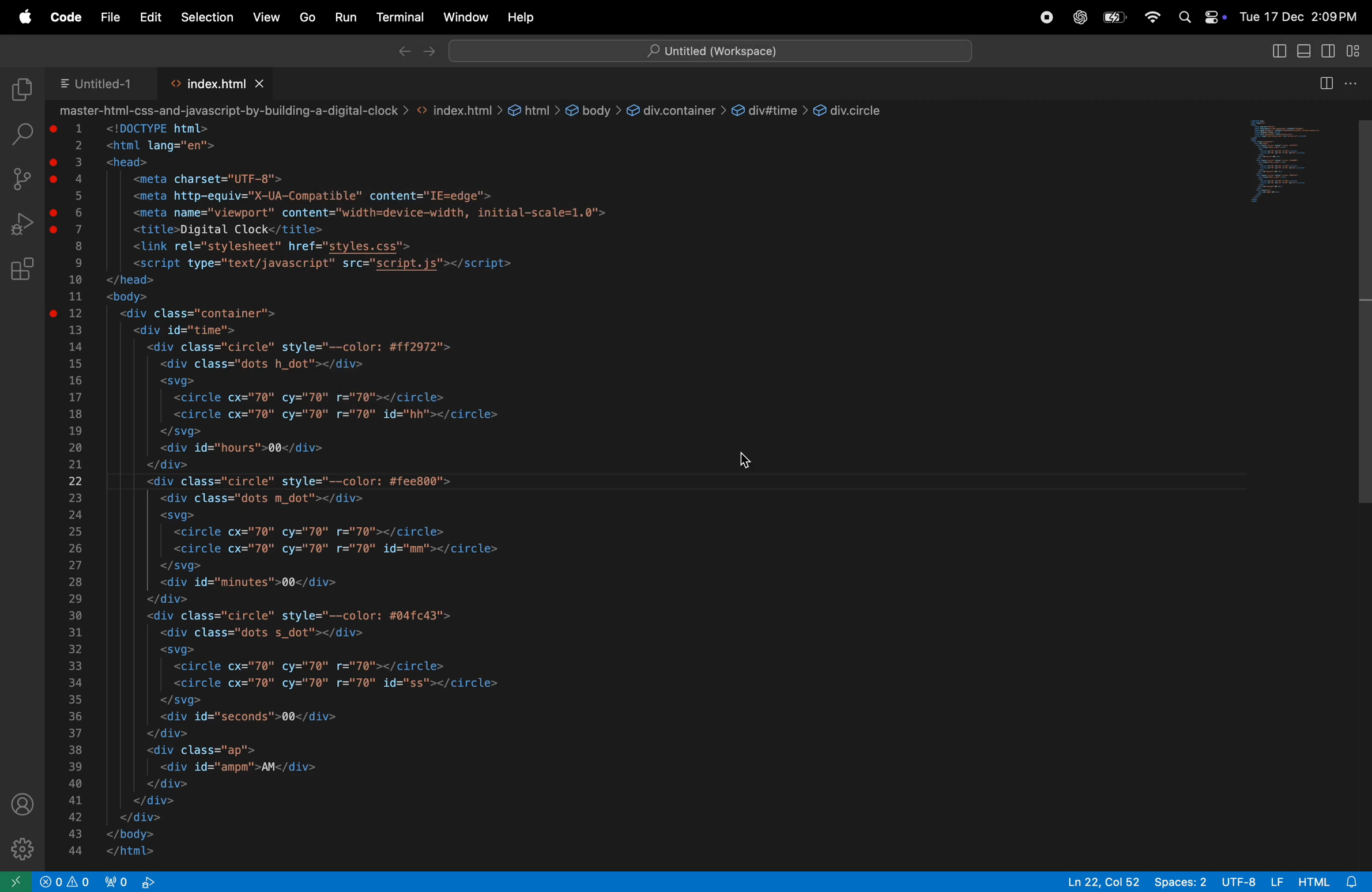 The image size is (1372, 892). What do you see at coordinates (54, 222) in the screenshot?
I see `breakpoints` at bounding box center [54, 222].